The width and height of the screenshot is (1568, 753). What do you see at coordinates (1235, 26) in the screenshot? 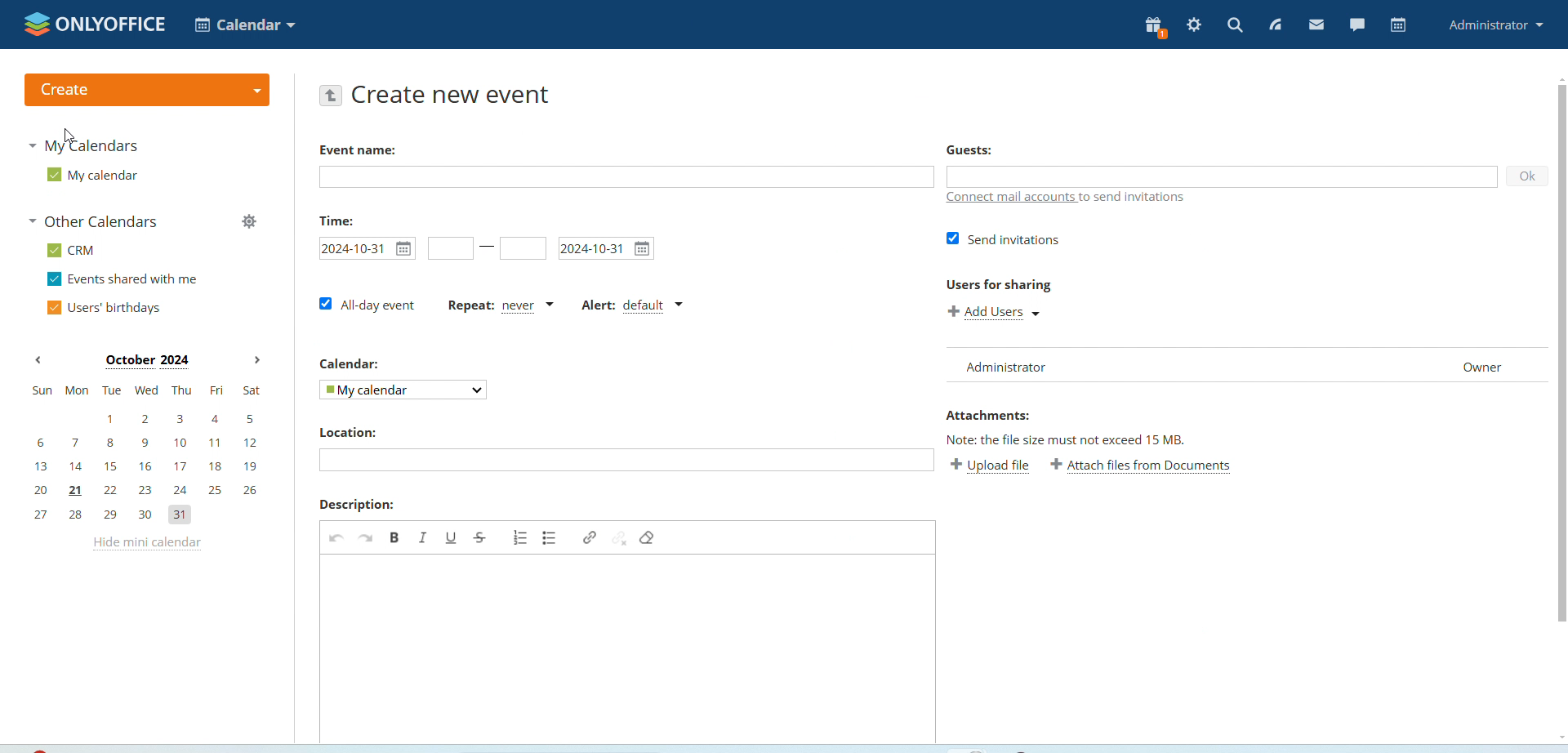
I see `search` at bounding box center [1235, 26].